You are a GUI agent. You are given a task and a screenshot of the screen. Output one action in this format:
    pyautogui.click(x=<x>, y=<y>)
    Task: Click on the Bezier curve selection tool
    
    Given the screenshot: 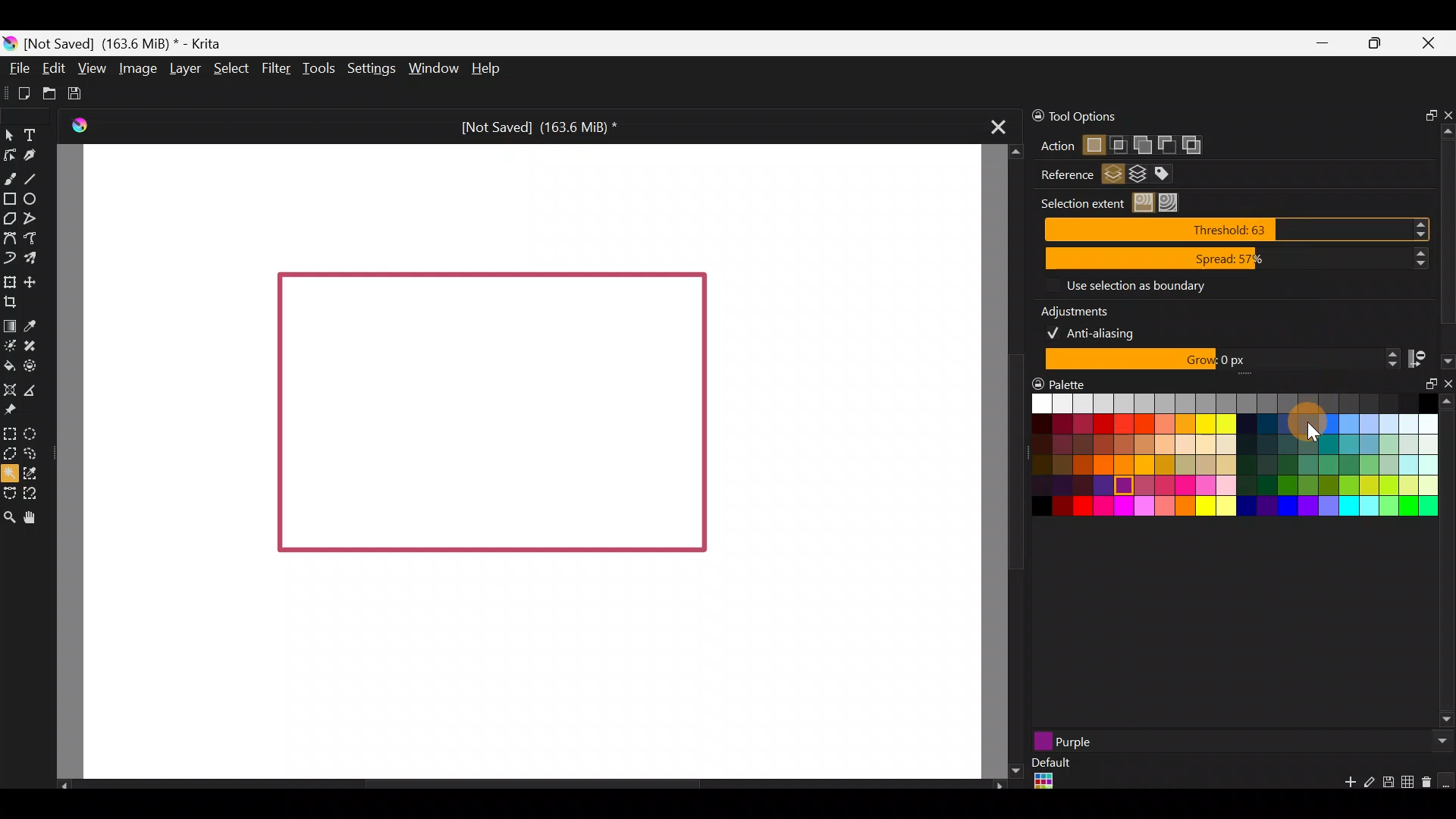 What is the action you would take?
    pyautogui.click(x=9, y=494)
    